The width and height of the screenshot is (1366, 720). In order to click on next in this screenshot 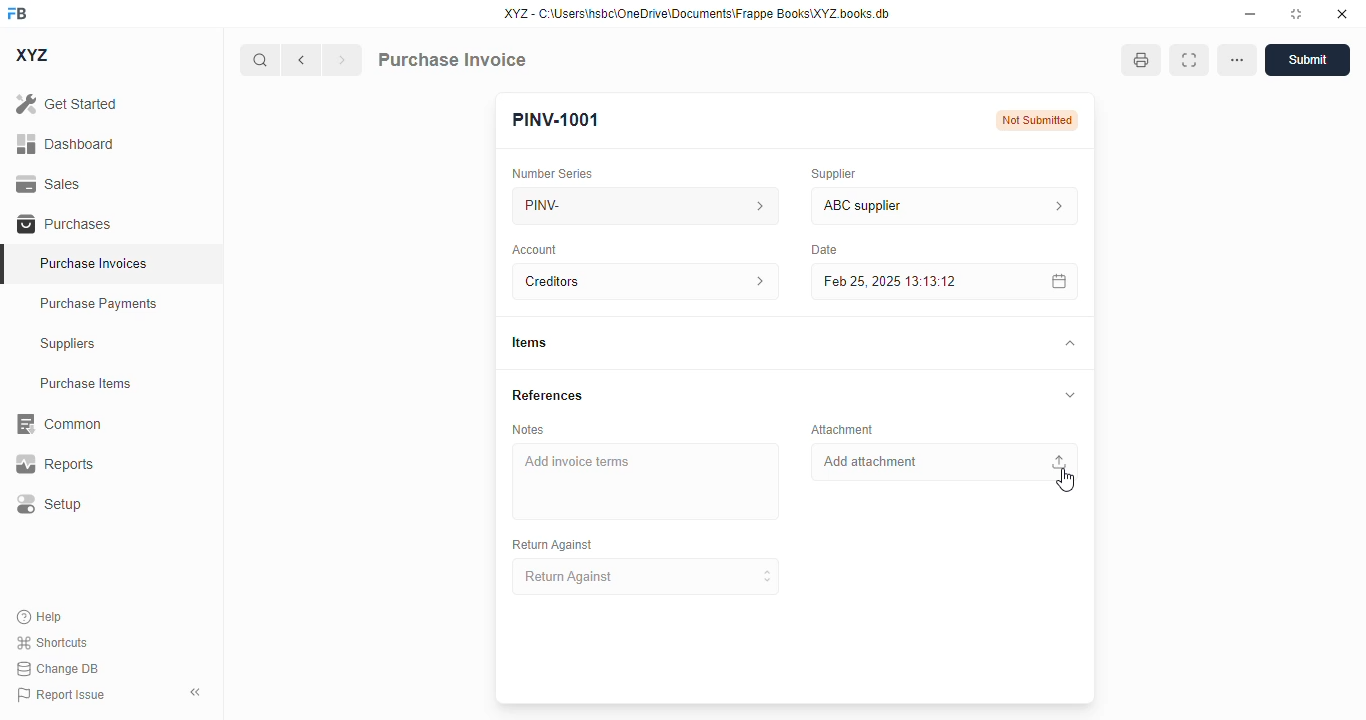, I will do `click(342, 60)`.